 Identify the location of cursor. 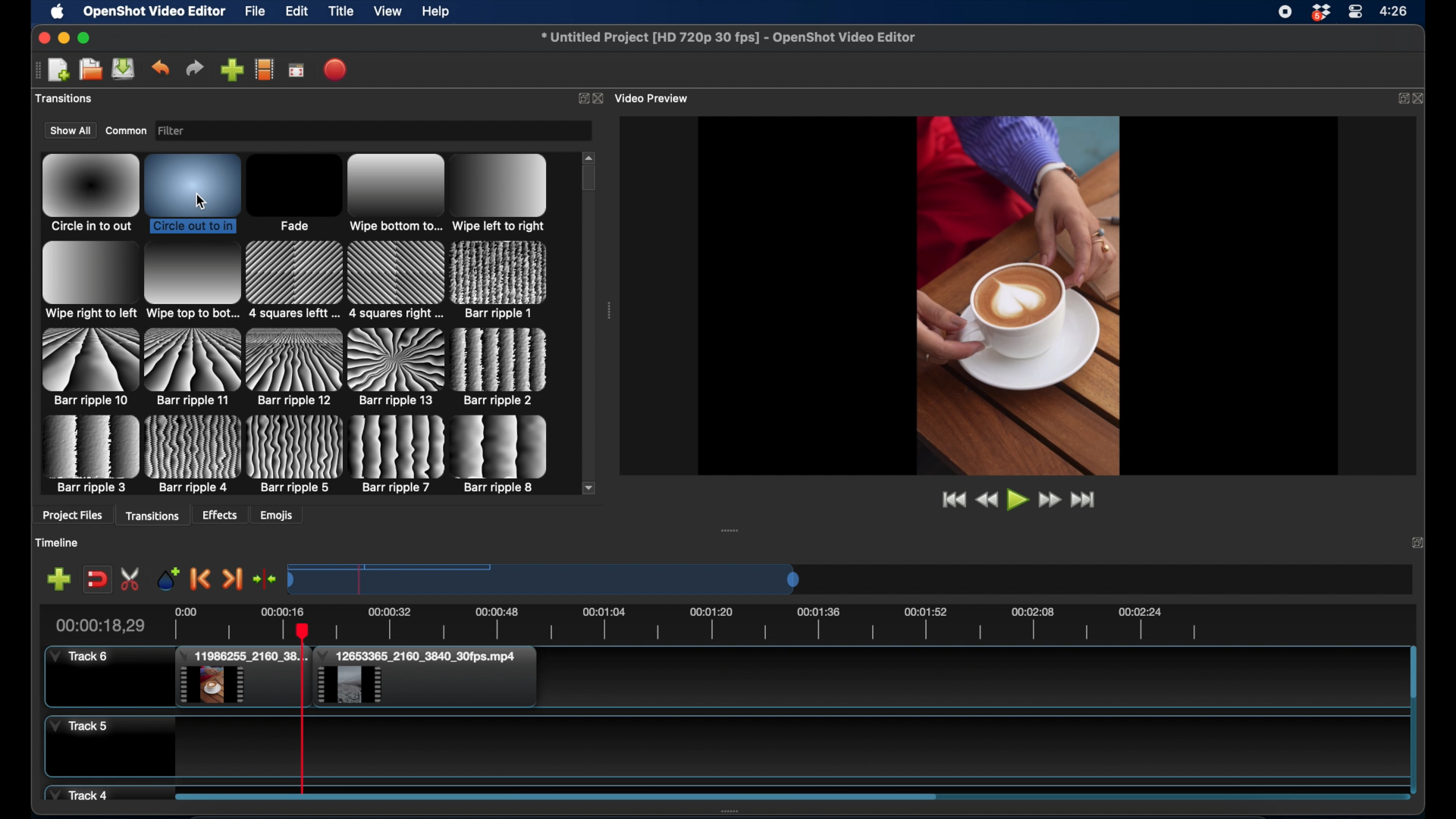
(199, 200).